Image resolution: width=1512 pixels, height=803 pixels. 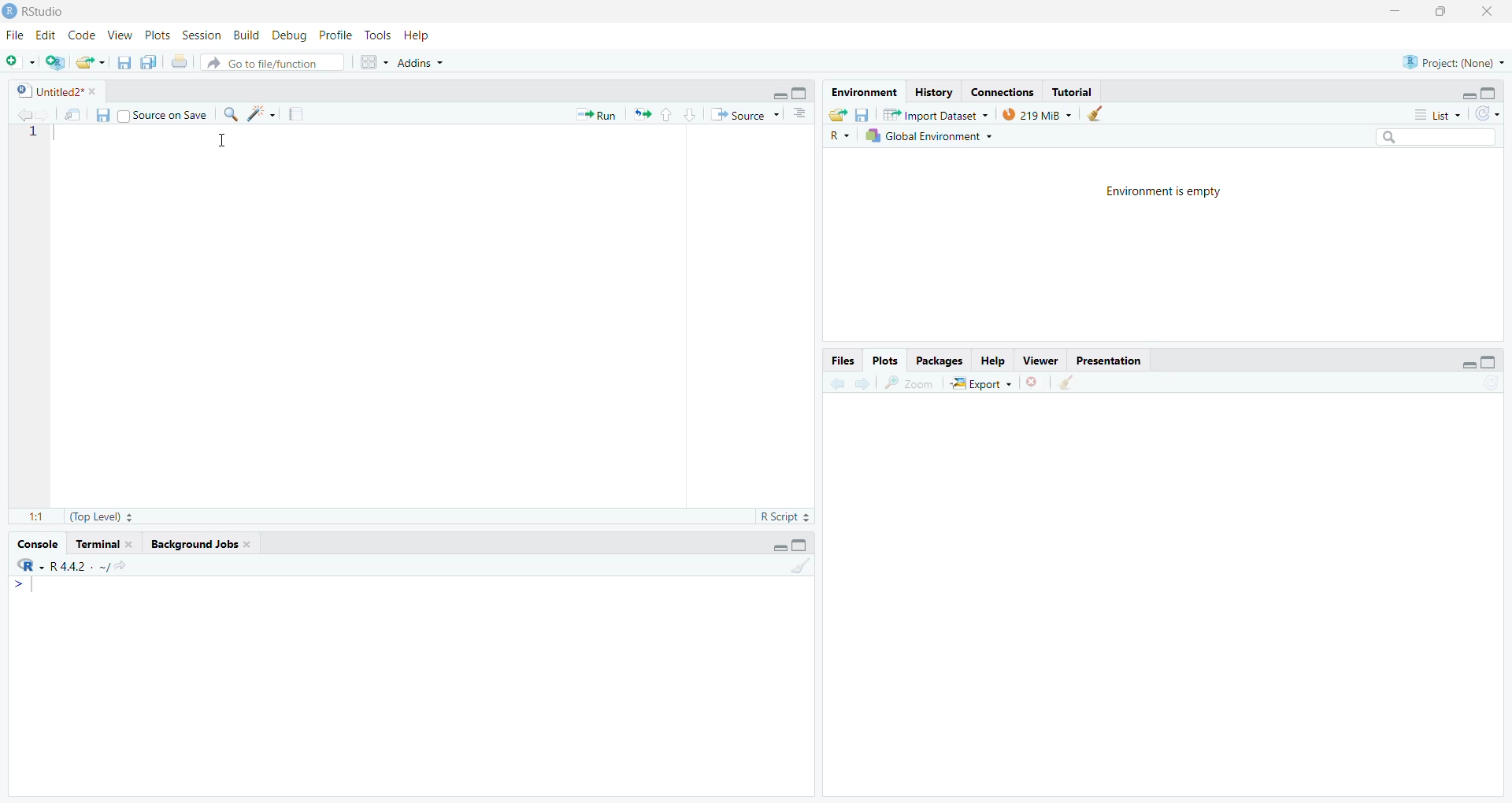 What do you see at coordinates (799, 564) in the screenshot?
I see `Clear` at bounding box center [799, 564].